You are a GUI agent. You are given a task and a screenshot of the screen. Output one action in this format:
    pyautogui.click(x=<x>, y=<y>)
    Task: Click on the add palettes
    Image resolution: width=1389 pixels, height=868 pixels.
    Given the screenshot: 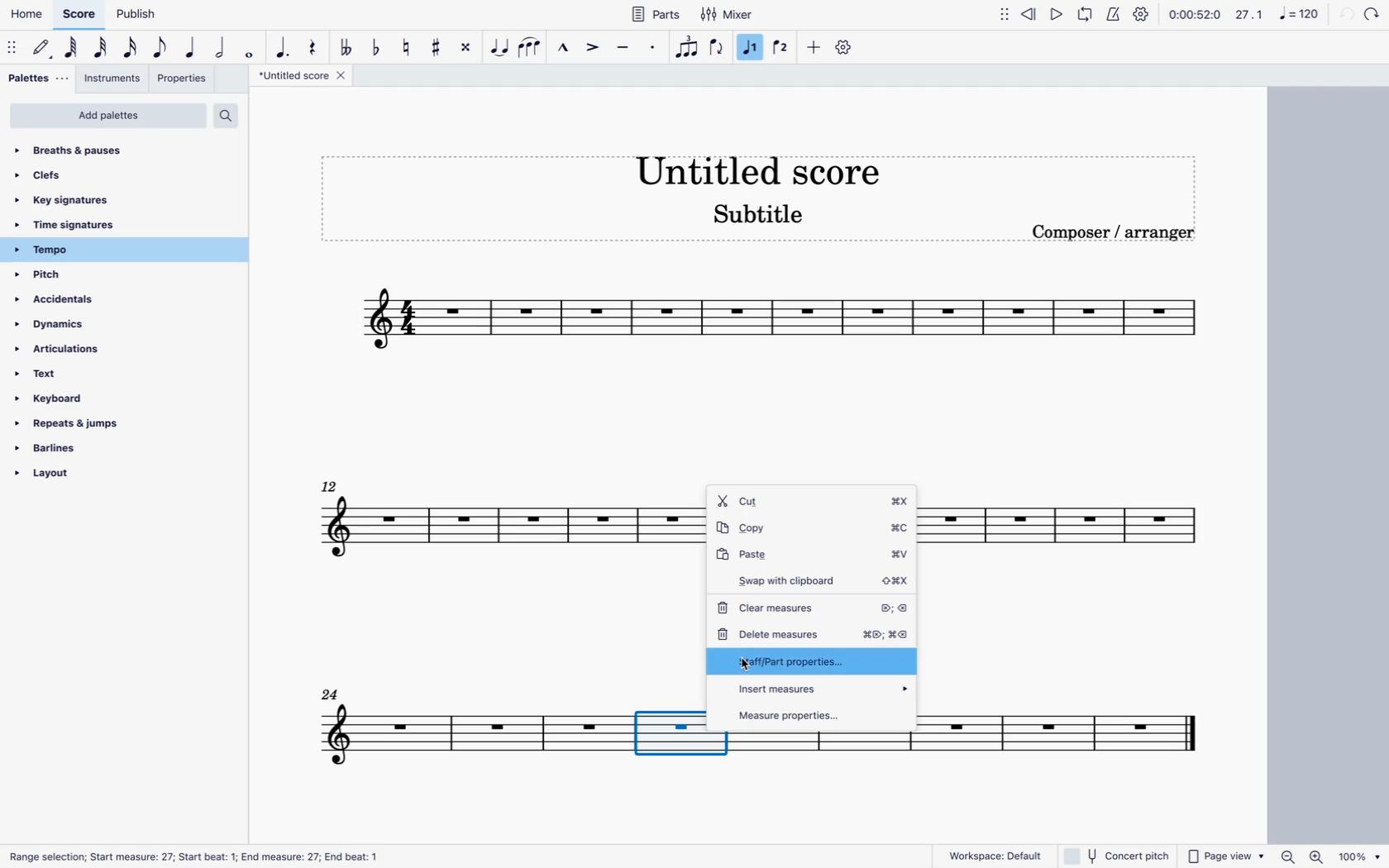 What is the action you would take?
    pyautogui.click(x=109, y=117)
    